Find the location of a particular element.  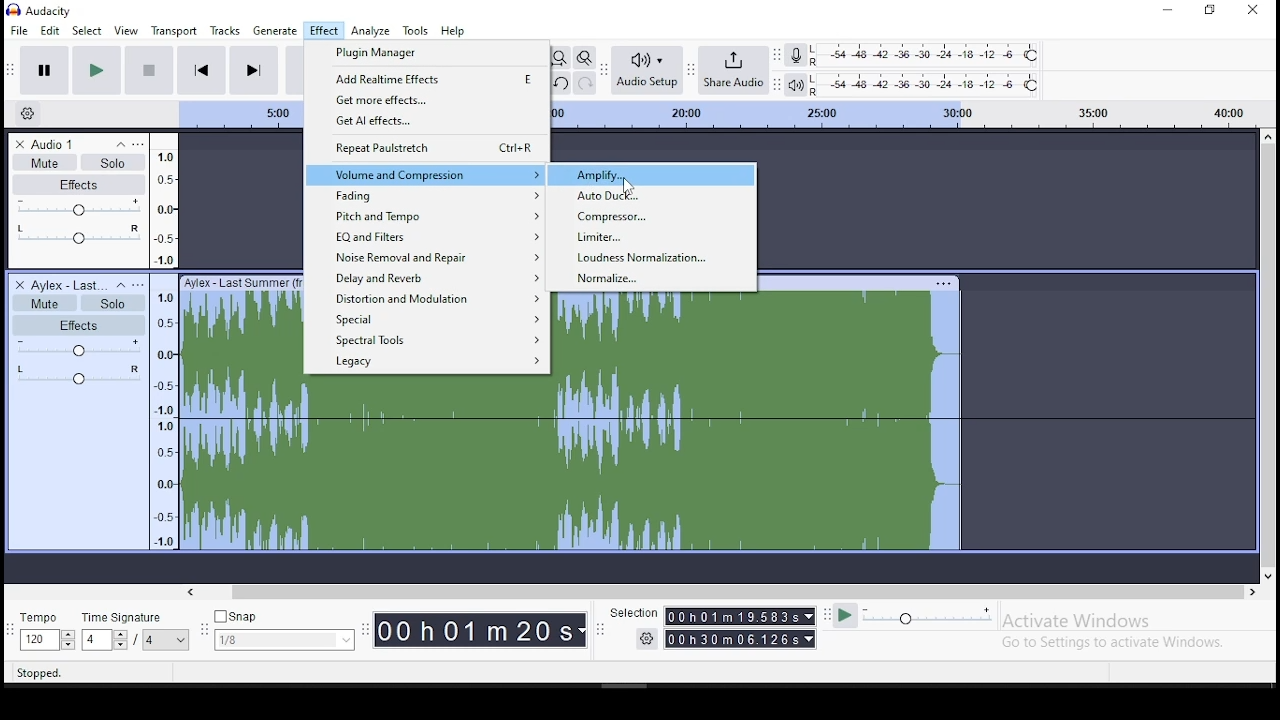

stopped is located at coordinates (40, 671).